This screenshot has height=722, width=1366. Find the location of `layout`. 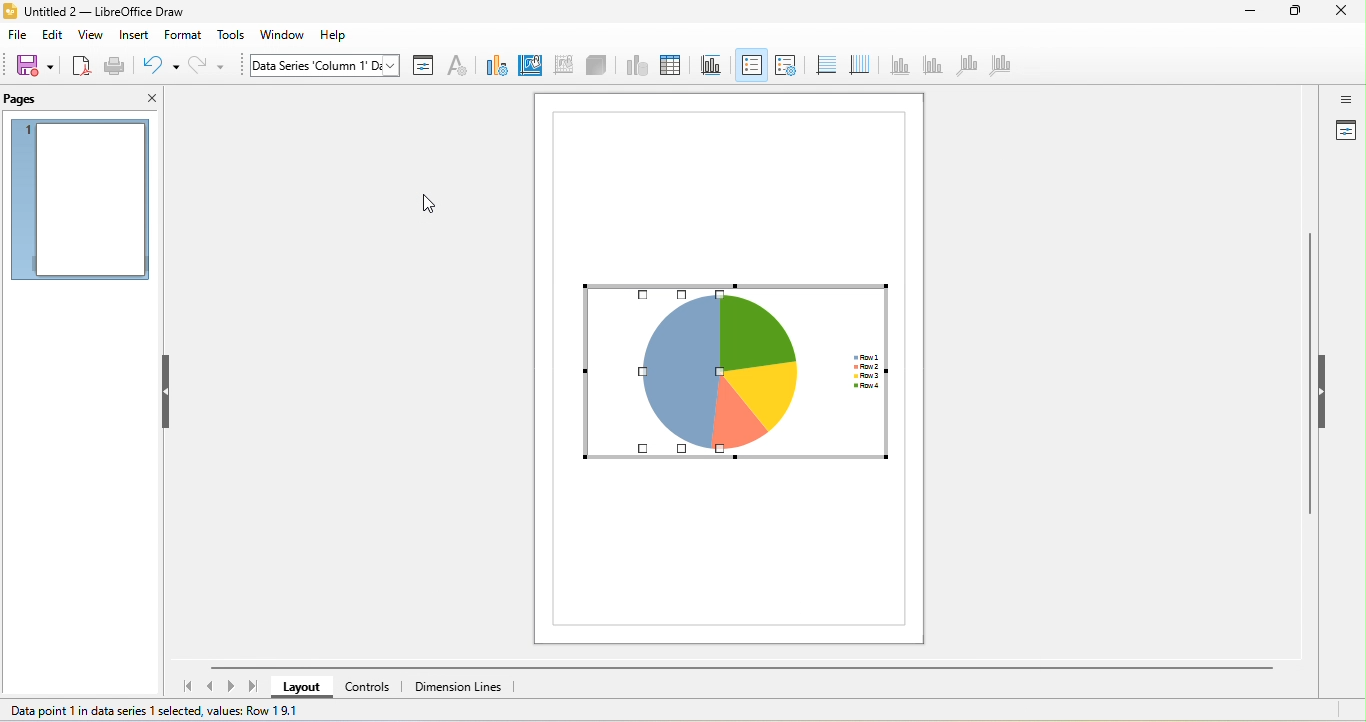

layout is located at coordinates (301, 686).